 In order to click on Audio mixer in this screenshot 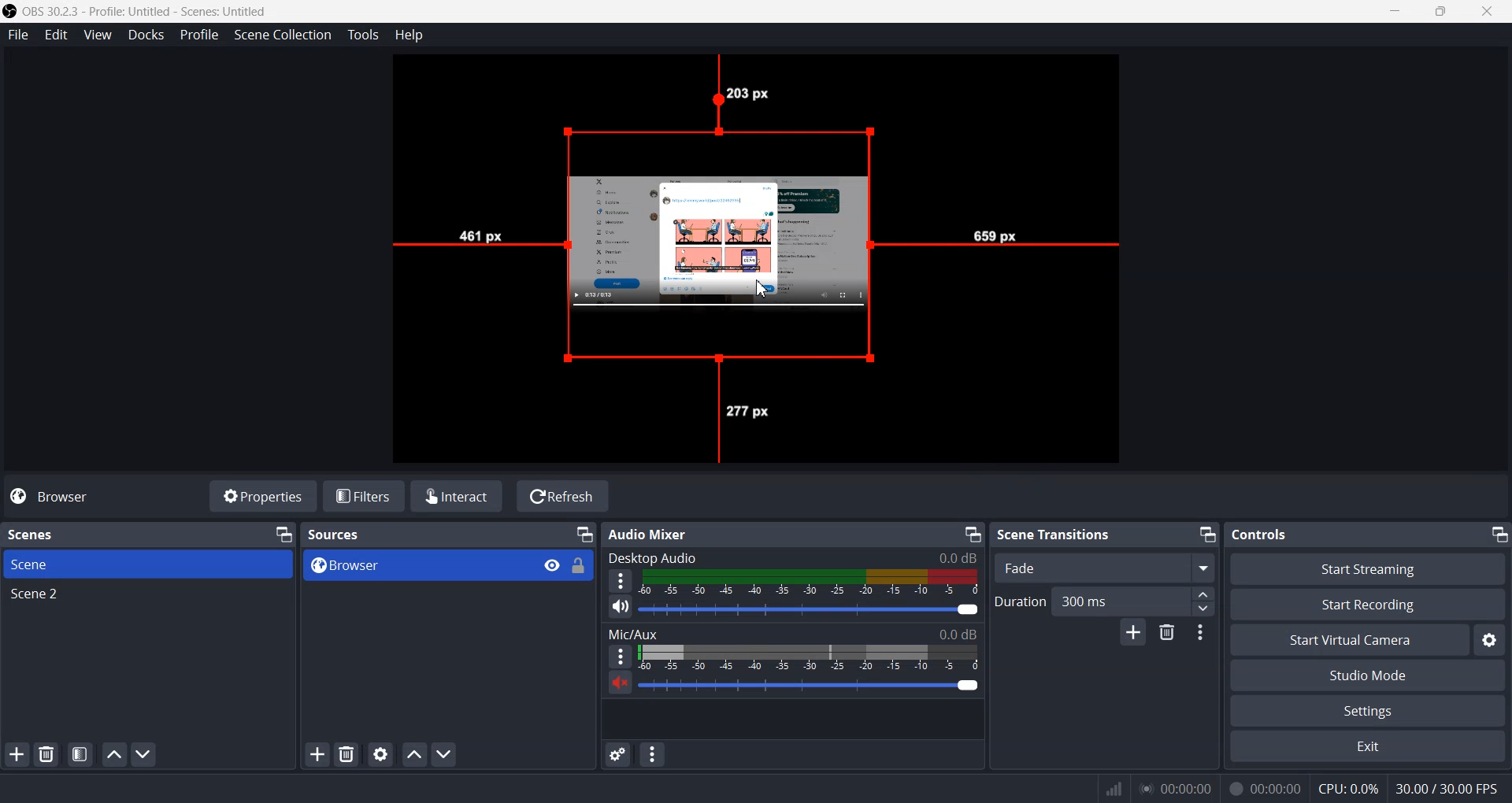, I will do `click(687, 532)`.